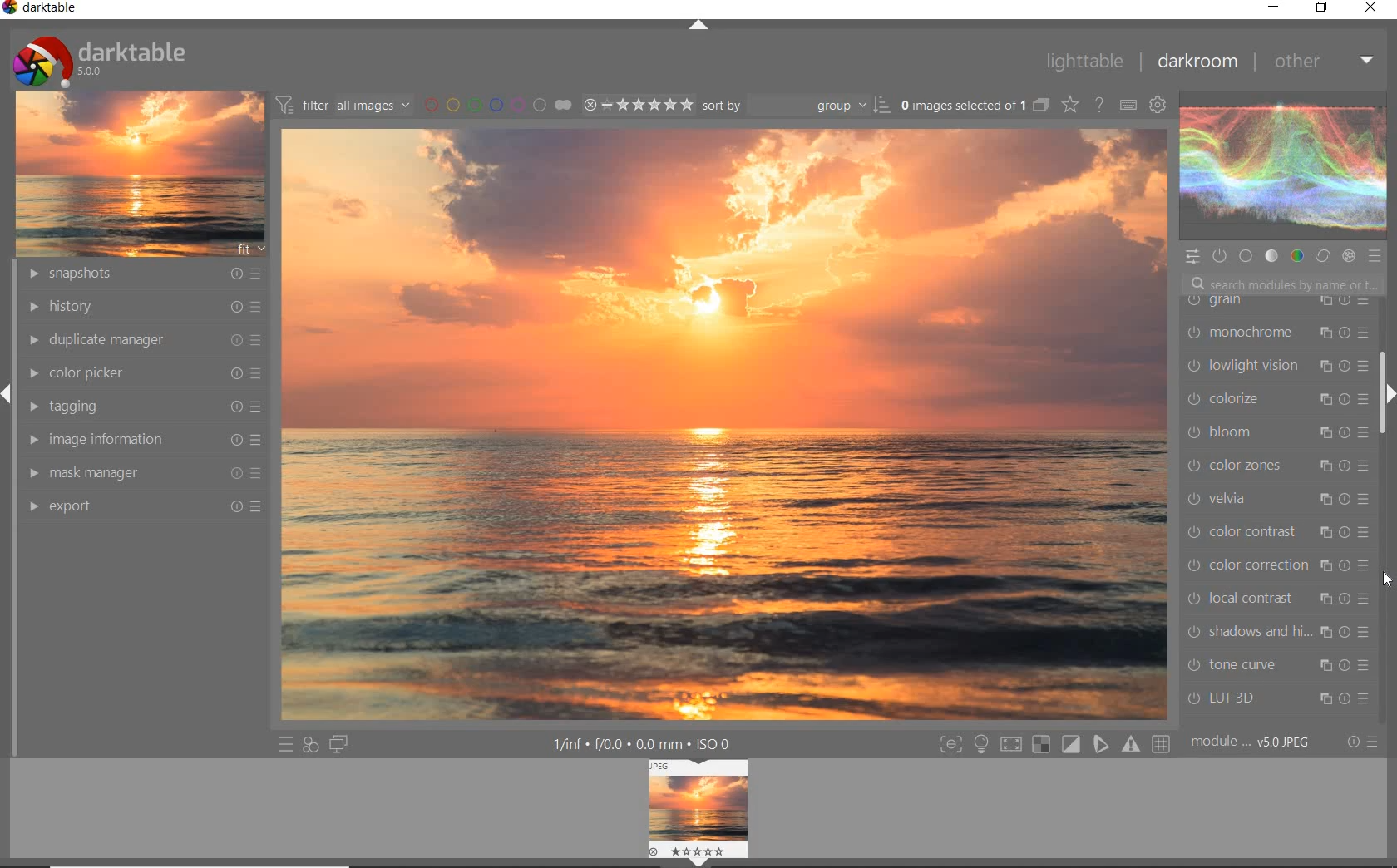  I want to click on QUICK ACCESS FOR APPLYING ANY OF YOUR STYLE, so click(309, 746).